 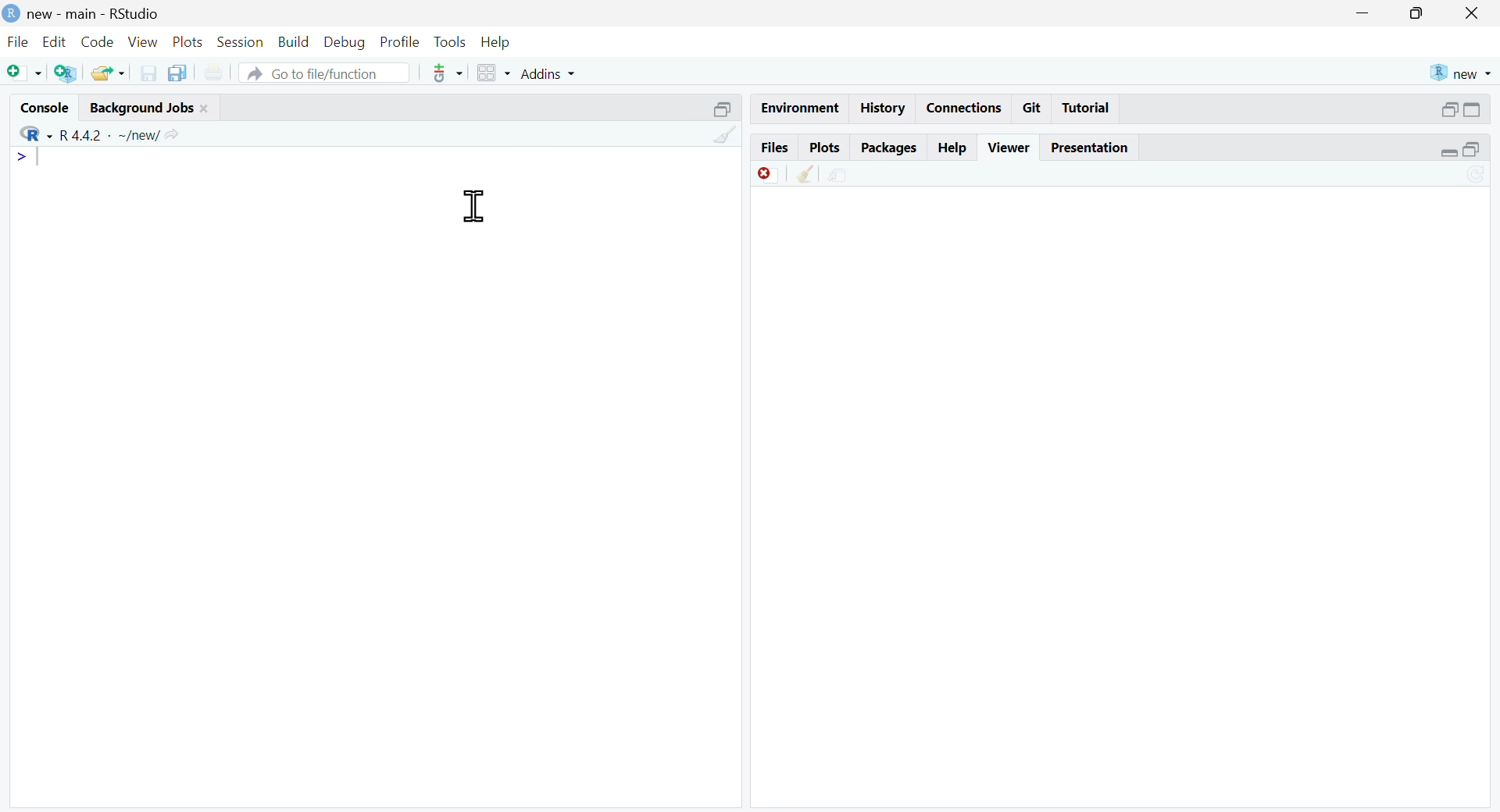 I want to click on share folder as, so click(x=109, y=73).